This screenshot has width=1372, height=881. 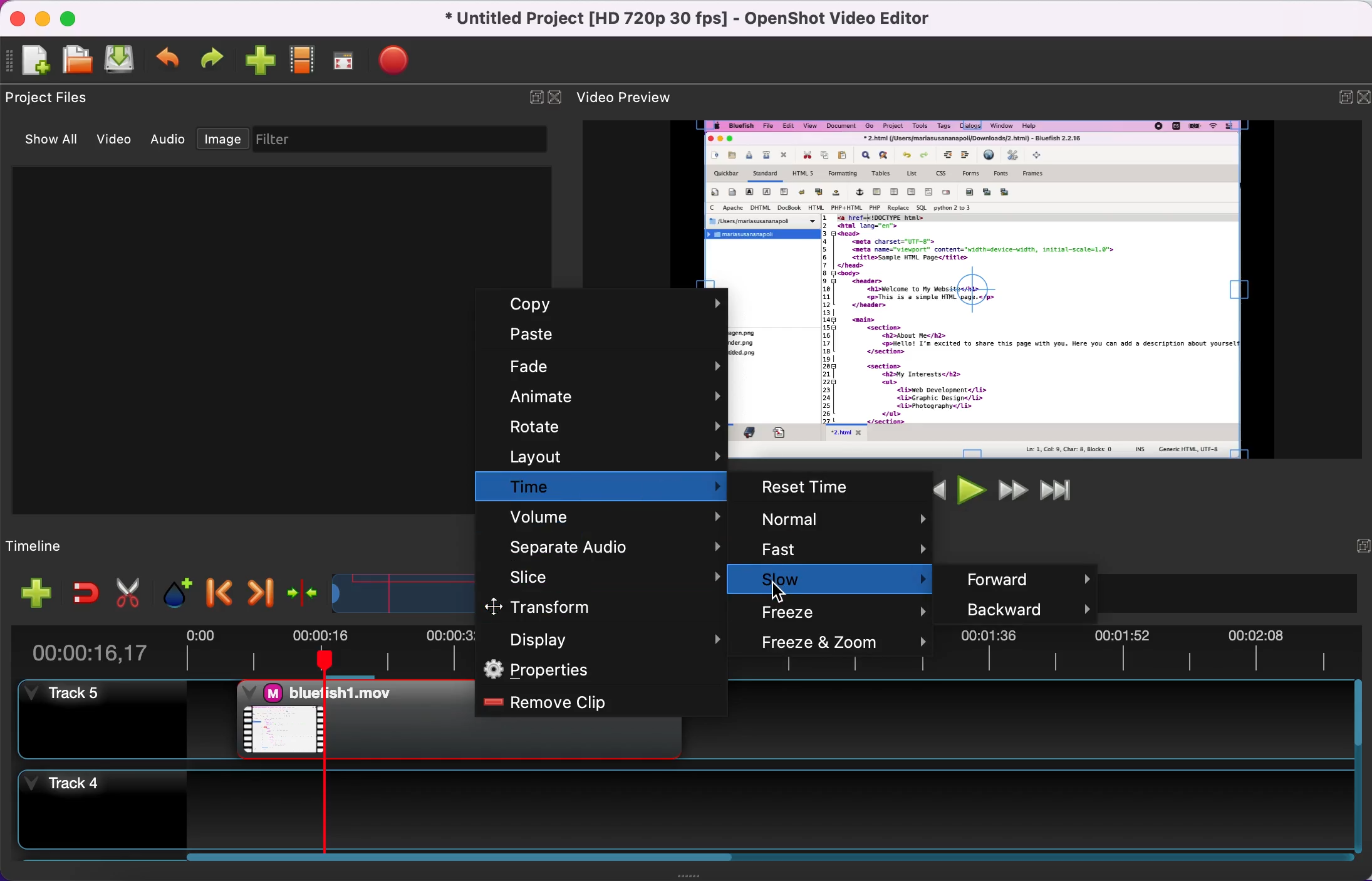 I want to click on display, so click(x=601, y=638).